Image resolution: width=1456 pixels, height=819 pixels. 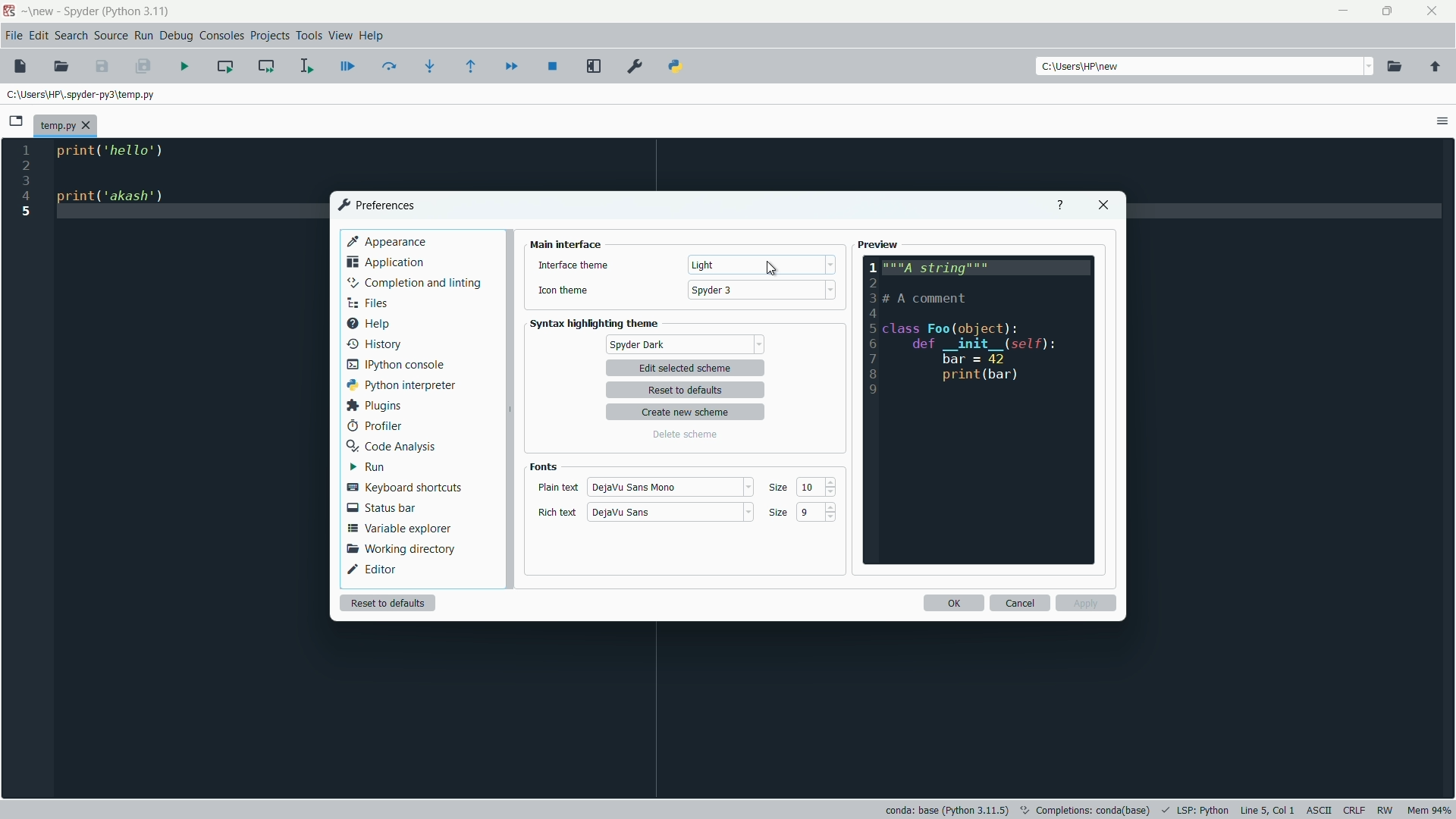 I want to click on application, so click(x=385, y=262).